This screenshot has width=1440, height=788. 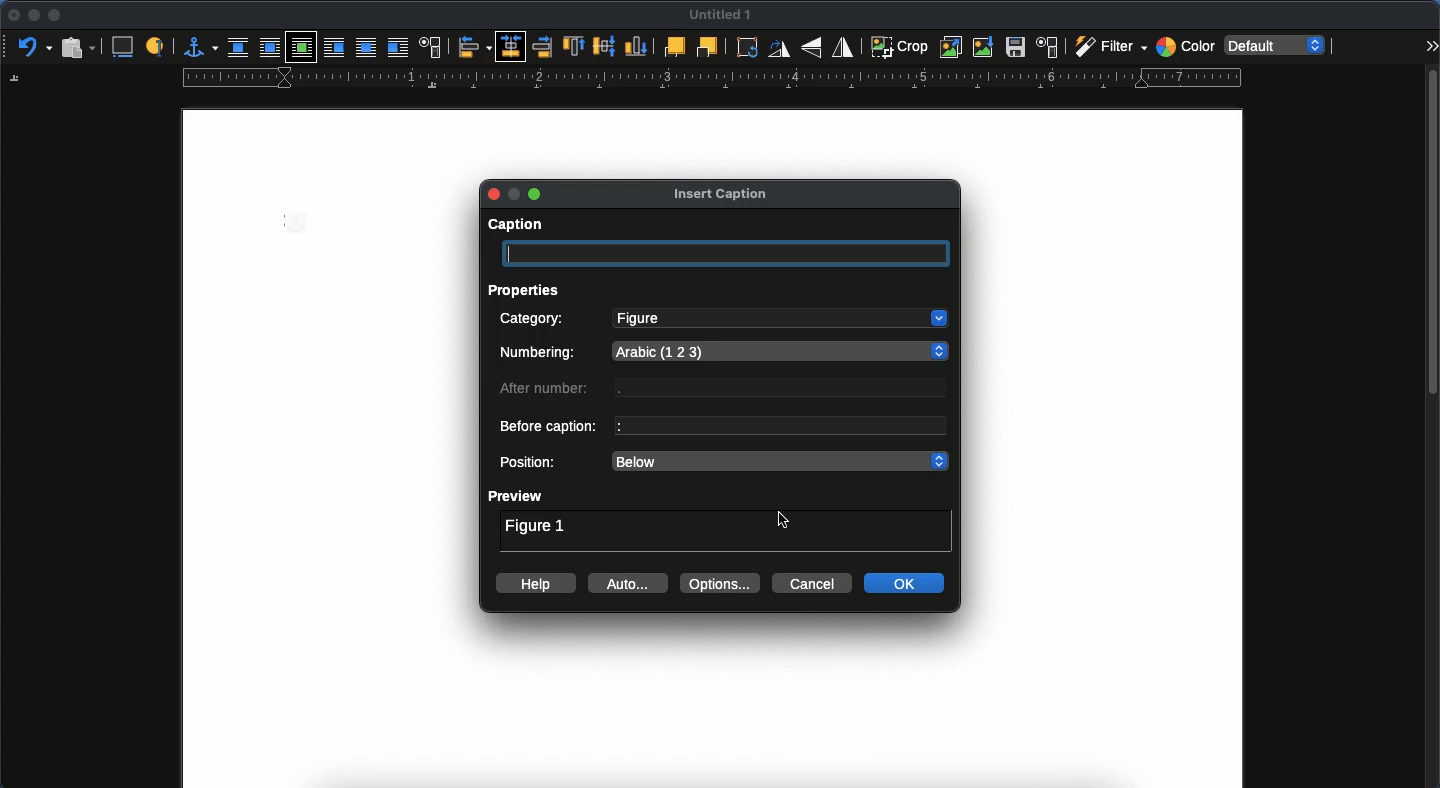 What do you see at coordinates (780, 462) in the screenshot?
I see `below` at bounding box center [780, 462].